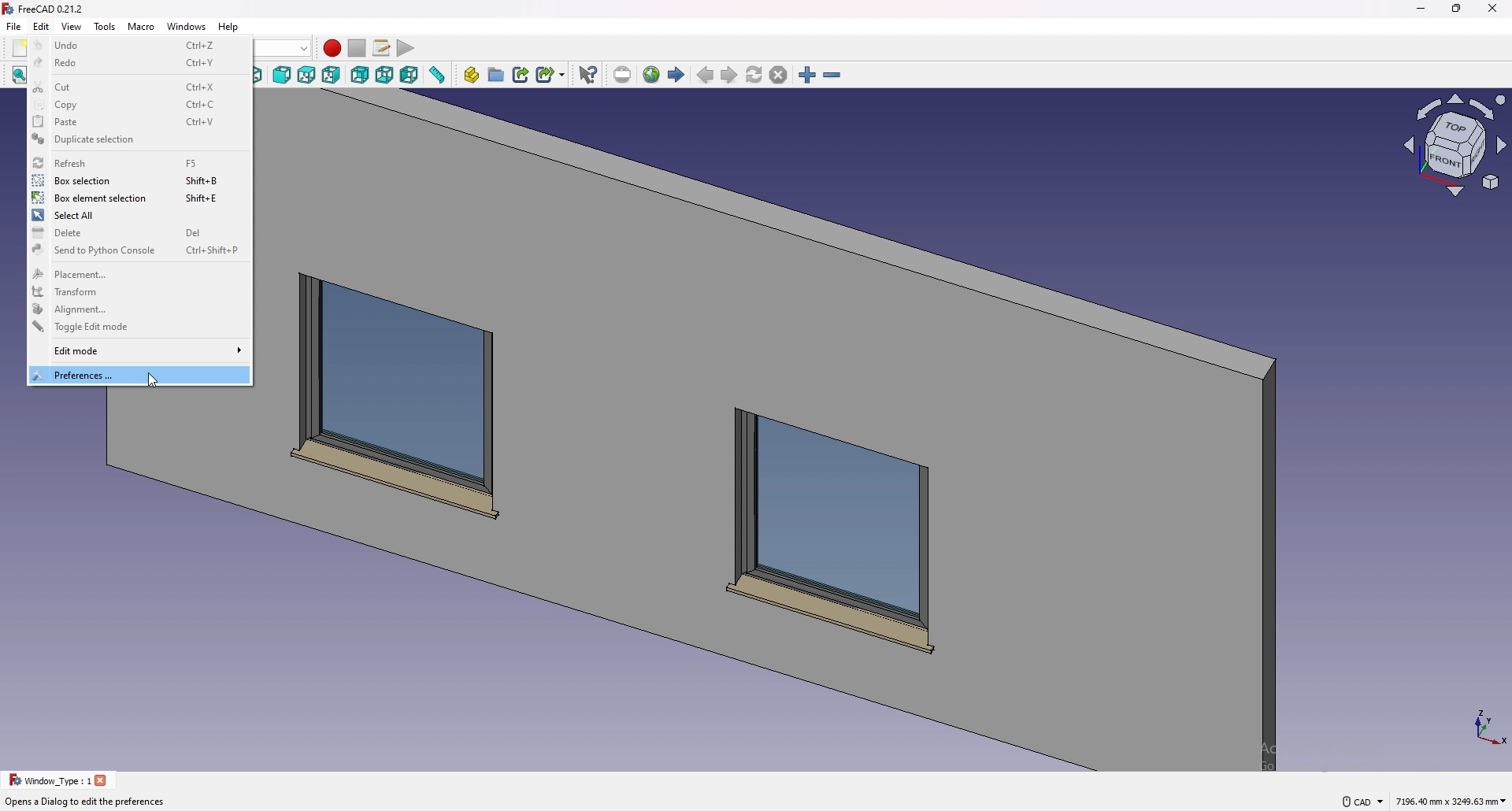 Image resolution: width=1512 pixels, height=811 pixels. Describe the element at coordinates (1480, 726) in the screenshot. I see `tourus` at that location.